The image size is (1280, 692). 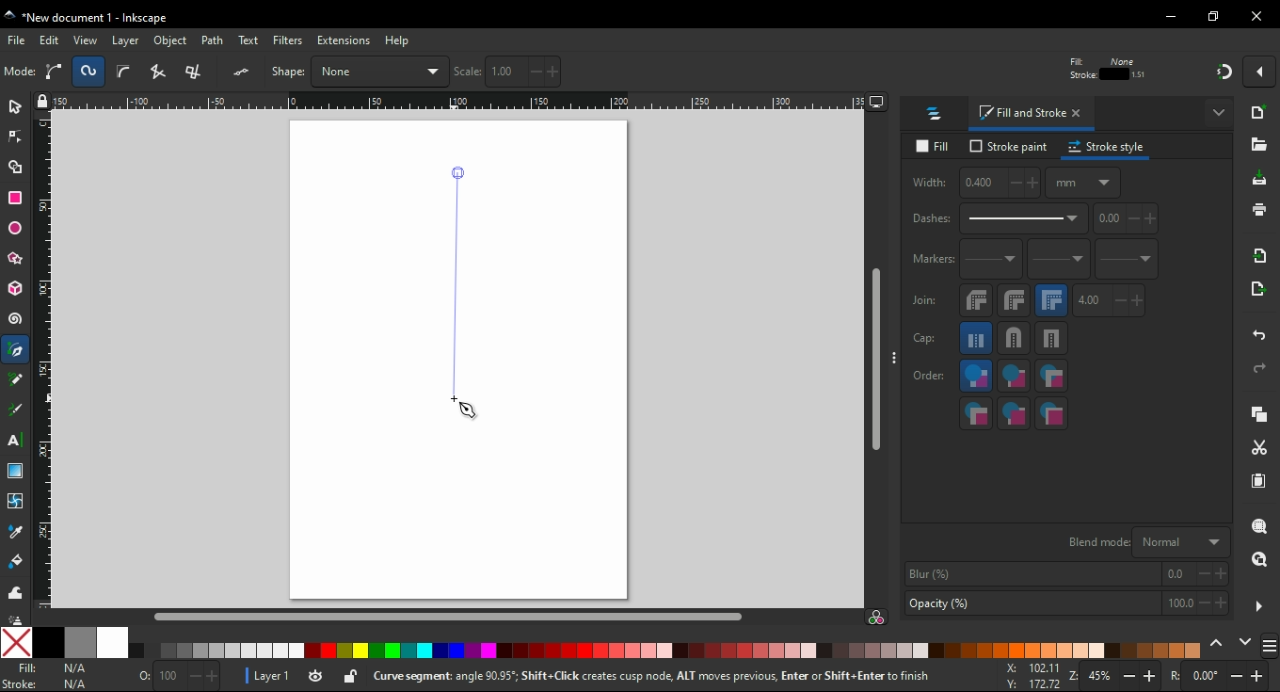 I want to click on color schemes, so click(x=1268, y=649).